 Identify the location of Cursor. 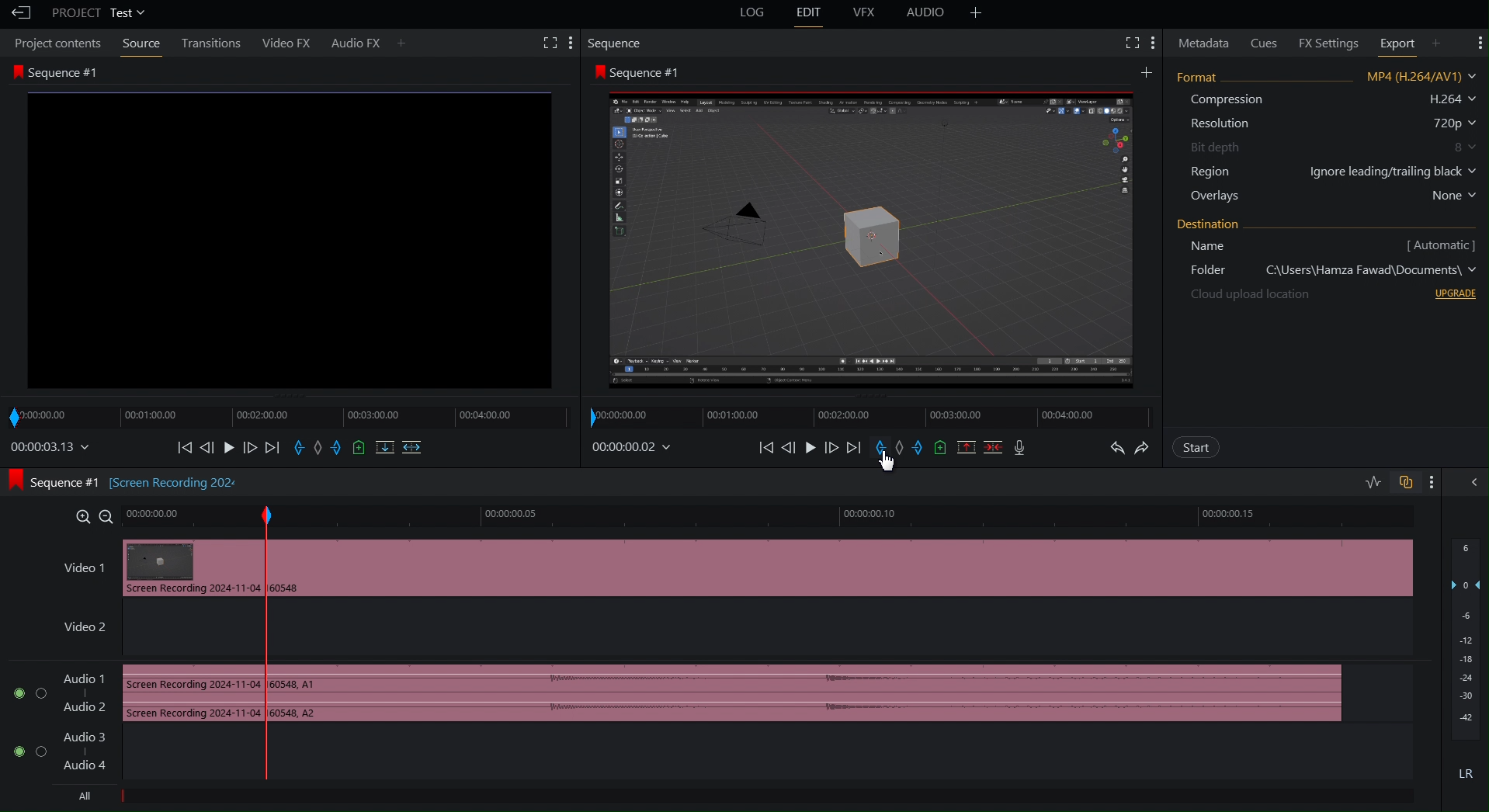
(887, 463).